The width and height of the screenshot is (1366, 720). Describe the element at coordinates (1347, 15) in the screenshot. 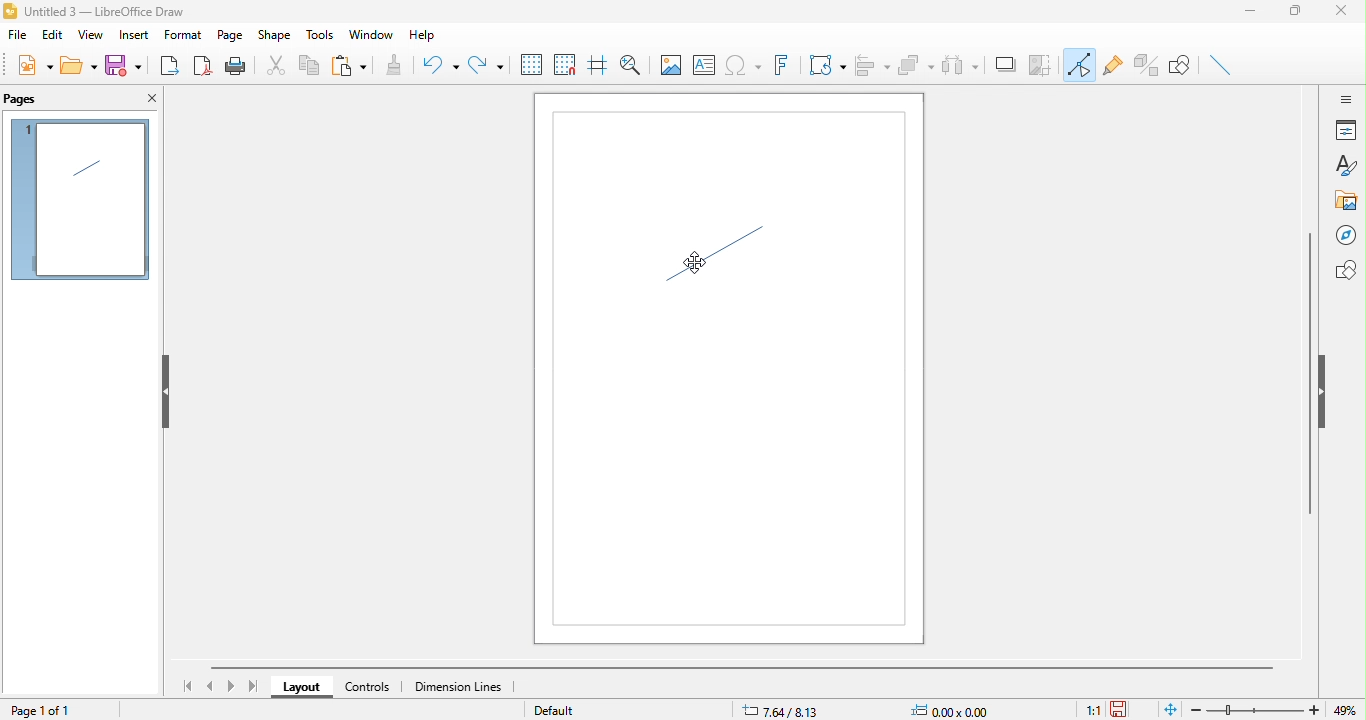

I see `close` at that location.